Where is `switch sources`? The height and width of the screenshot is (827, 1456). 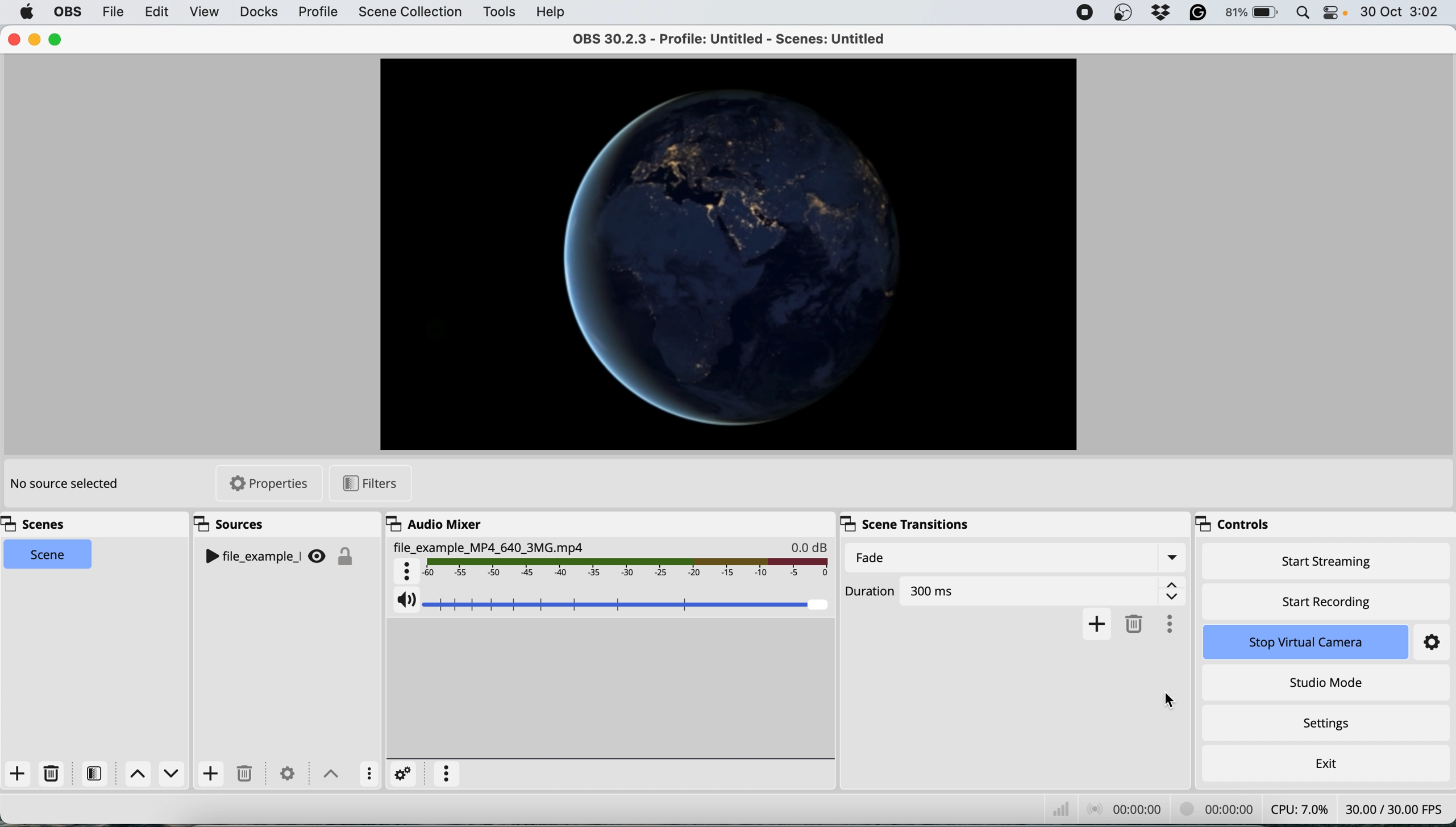
switch sources is located at coordinates (332, 774).